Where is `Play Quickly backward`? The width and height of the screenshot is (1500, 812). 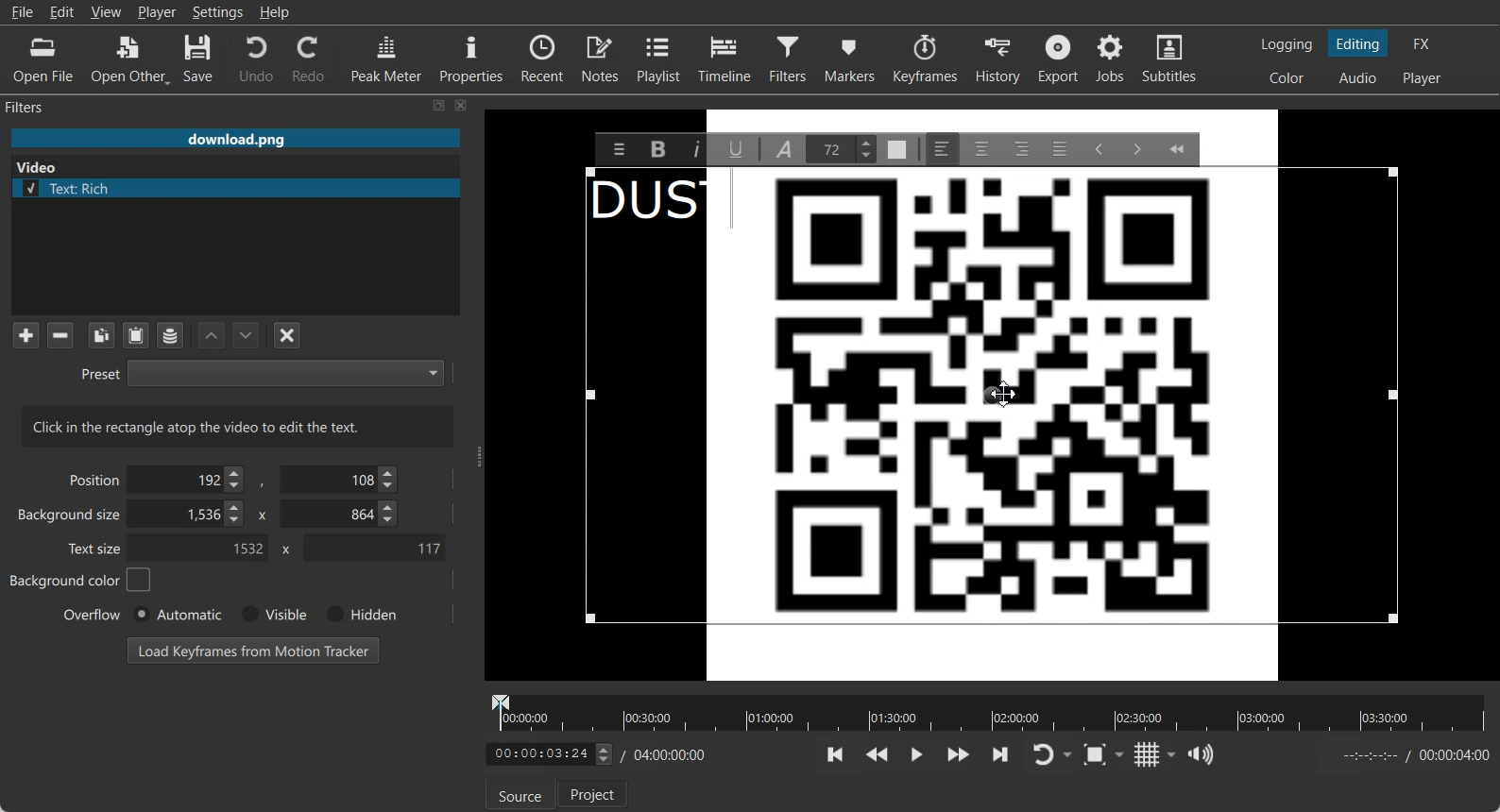
Play Quickly backward is located at coordinates (878, 754).